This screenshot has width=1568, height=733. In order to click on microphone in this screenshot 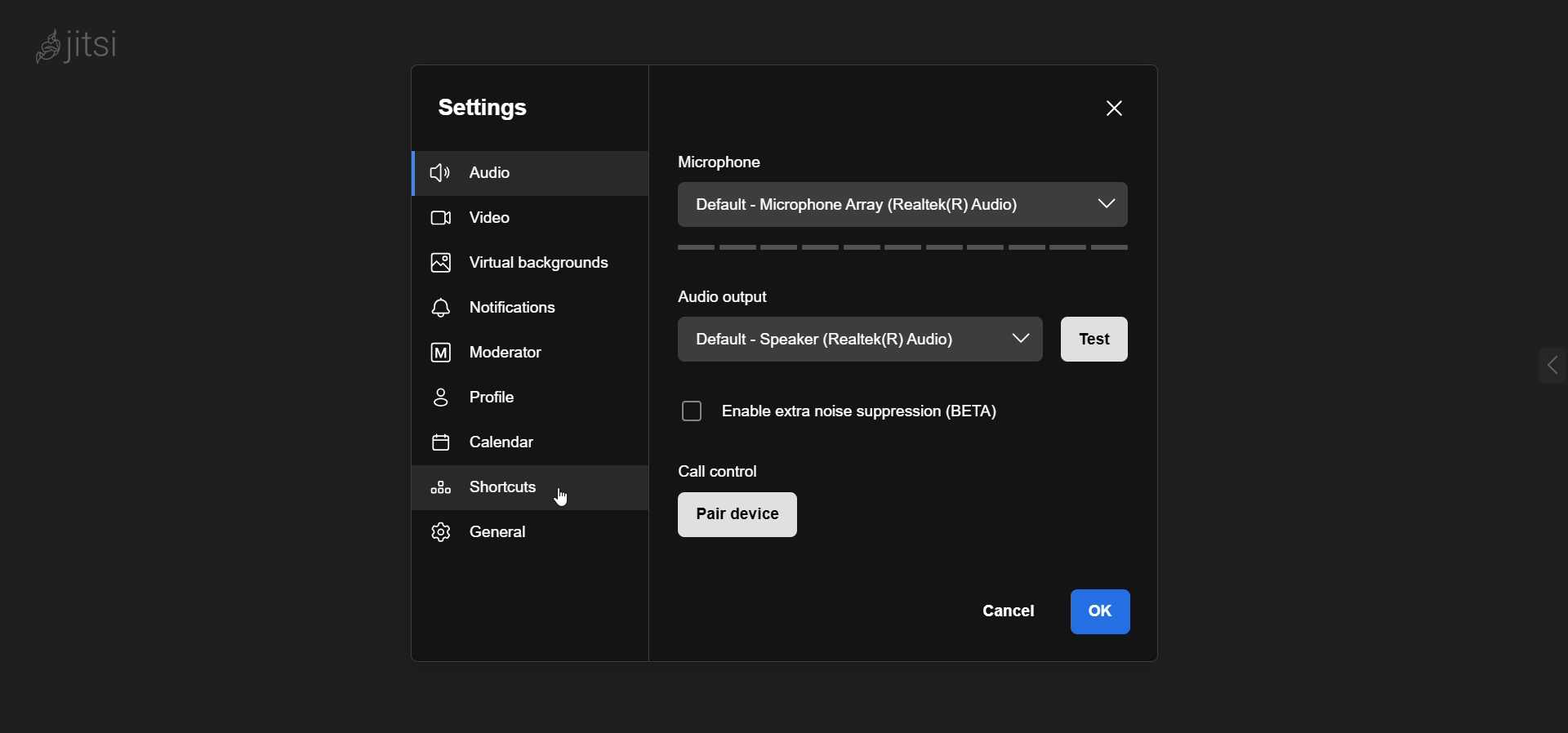, I will do `click(721, 162)`.